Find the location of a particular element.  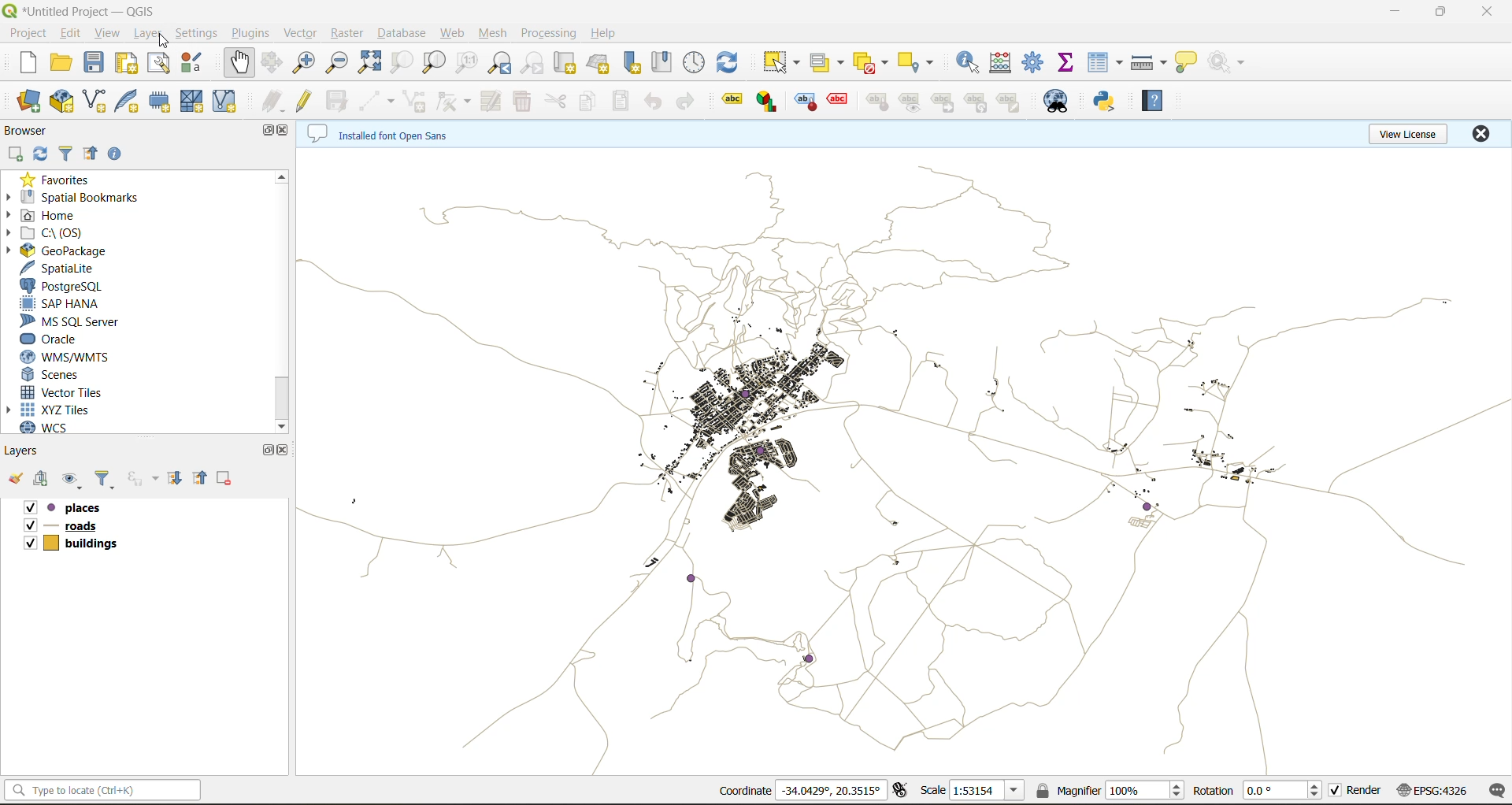

filter by expression is located at coordinates (141, 478).